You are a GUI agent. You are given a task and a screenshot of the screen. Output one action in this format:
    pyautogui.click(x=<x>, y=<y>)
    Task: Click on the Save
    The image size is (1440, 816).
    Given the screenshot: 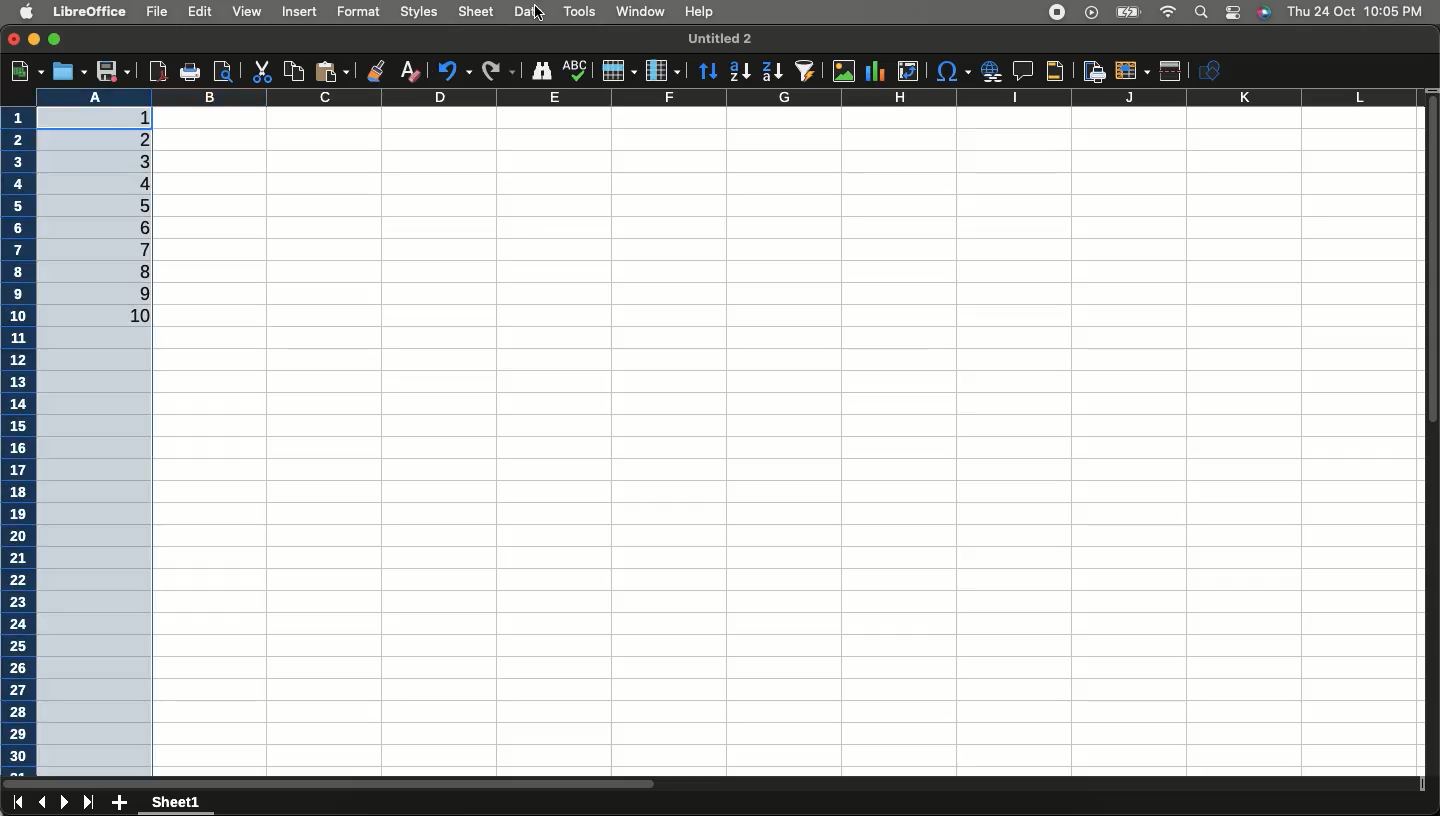 What is the action you would take?
    pyautogui.click(x=113, y=71)
    